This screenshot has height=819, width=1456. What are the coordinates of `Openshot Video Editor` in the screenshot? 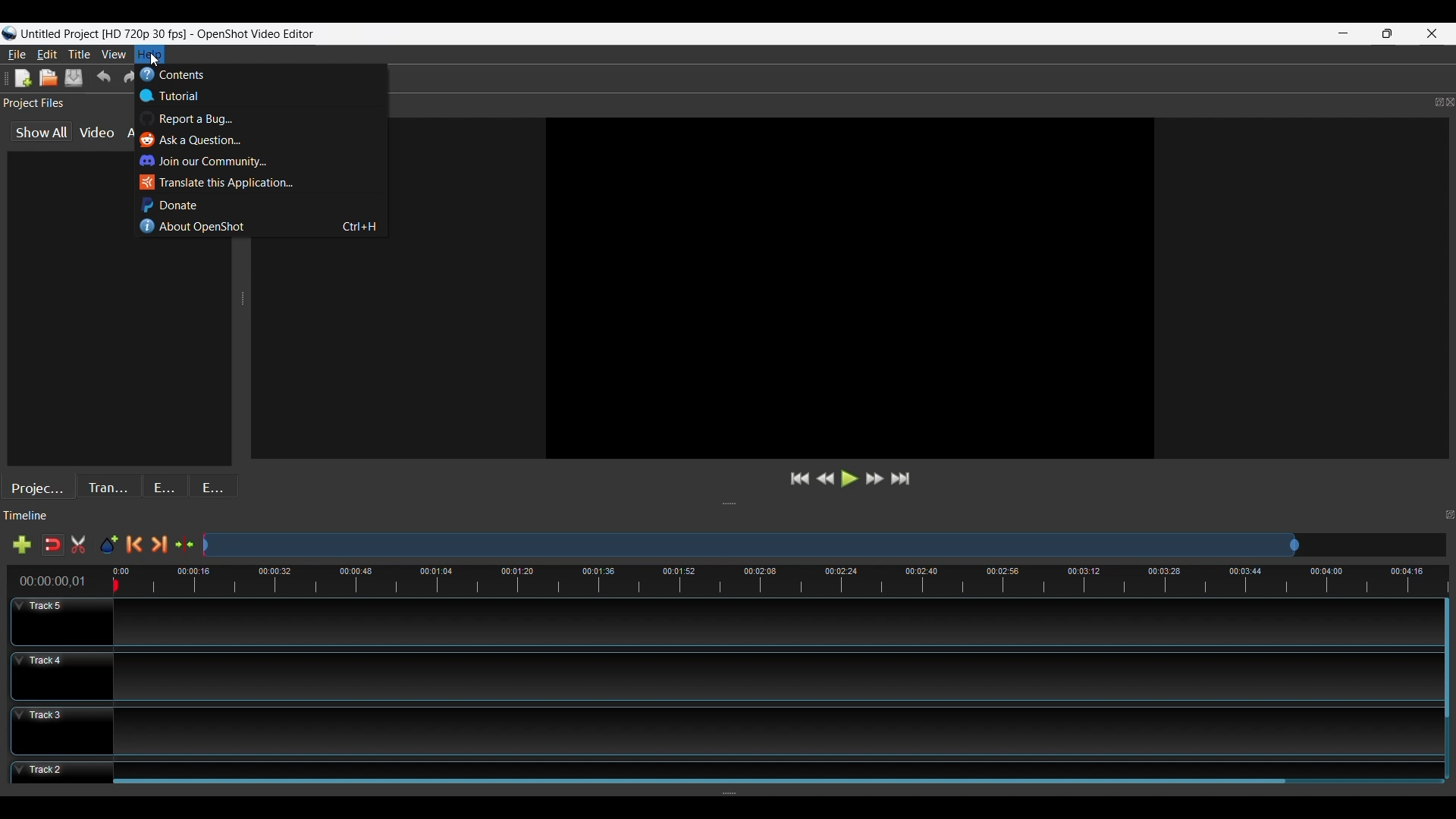 It's located at (262, 35).